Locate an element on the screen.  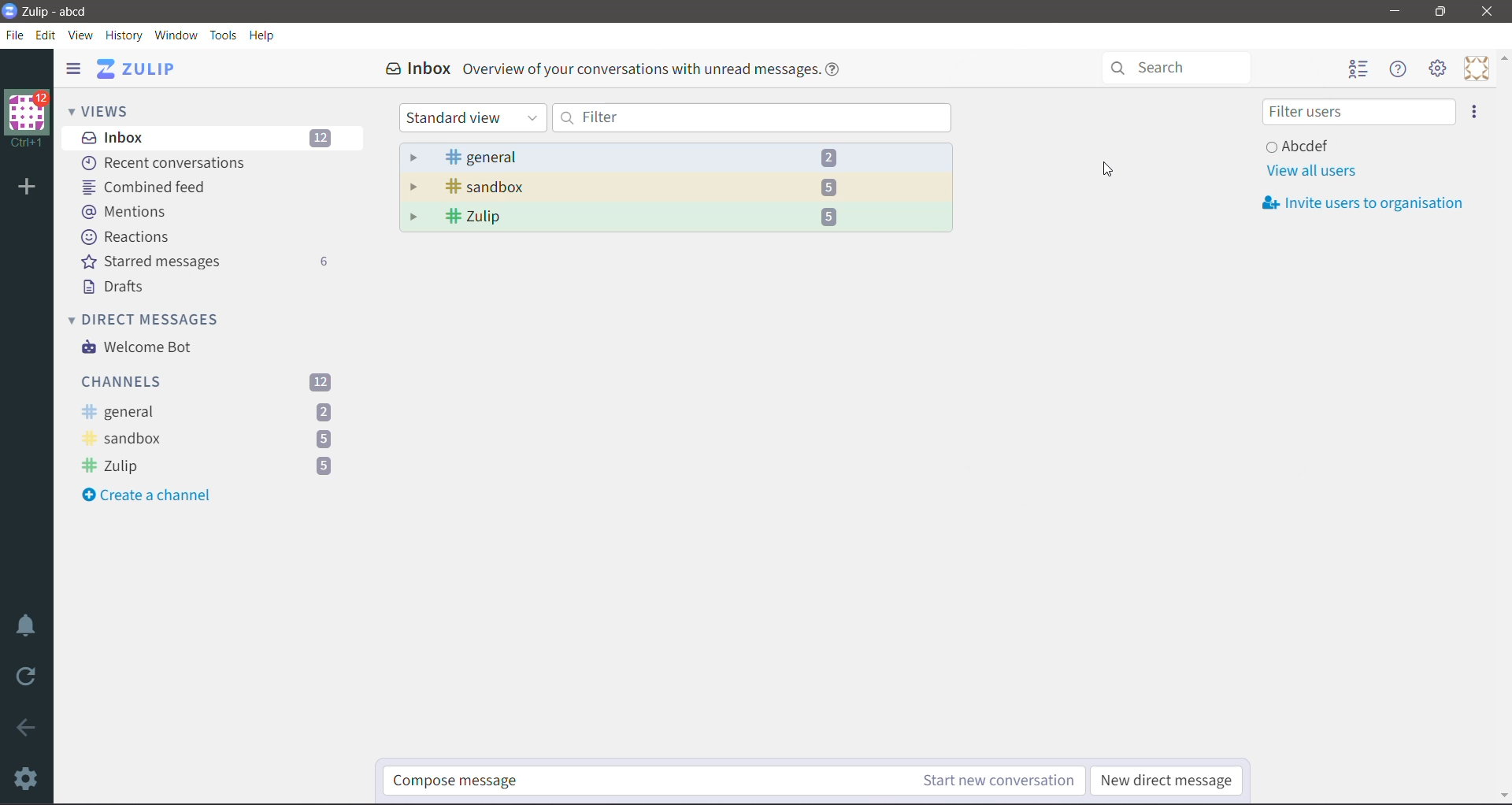
Window is located at coordinates (179, 36).